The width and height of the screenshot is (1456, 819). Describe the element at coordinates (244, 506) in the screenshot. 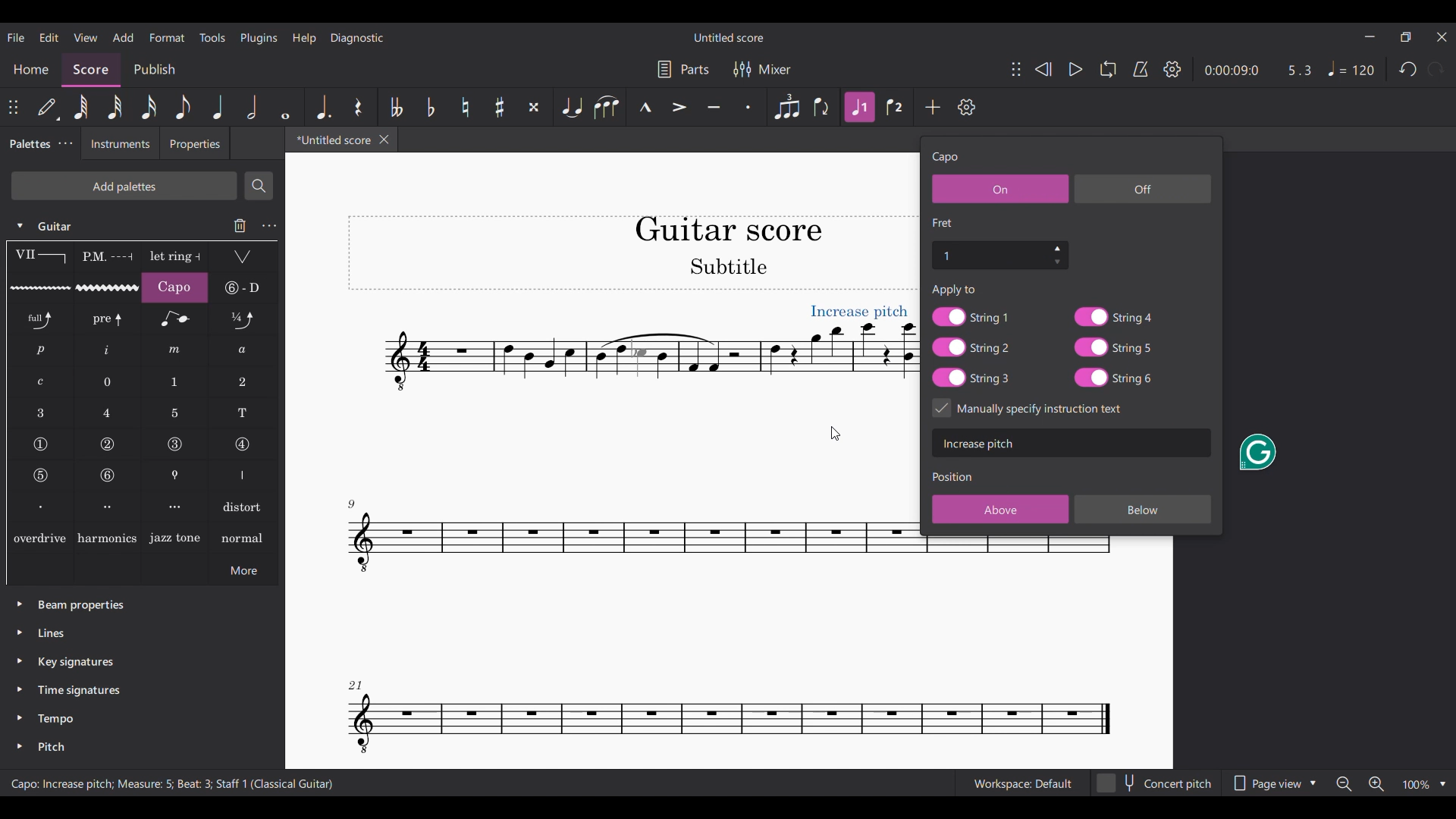

I see `Distort` at that location.